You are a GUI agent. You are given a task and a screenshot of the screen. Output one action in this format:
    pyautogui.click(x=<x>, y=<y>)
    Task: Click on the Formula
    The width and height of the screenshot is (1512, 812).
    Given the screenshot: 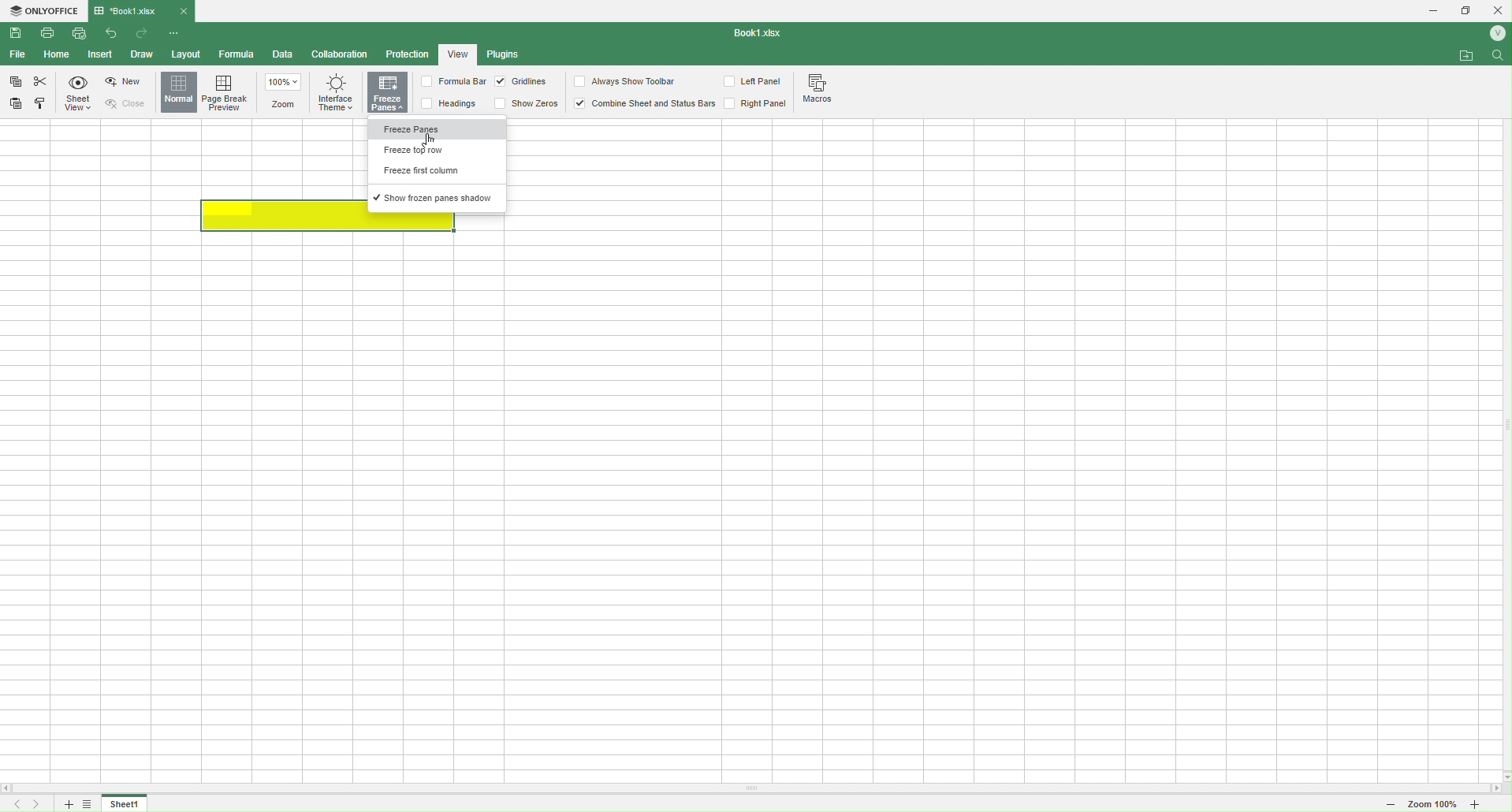 What is the action you would take?
    pyautogui.click(x=237, y=54)
    